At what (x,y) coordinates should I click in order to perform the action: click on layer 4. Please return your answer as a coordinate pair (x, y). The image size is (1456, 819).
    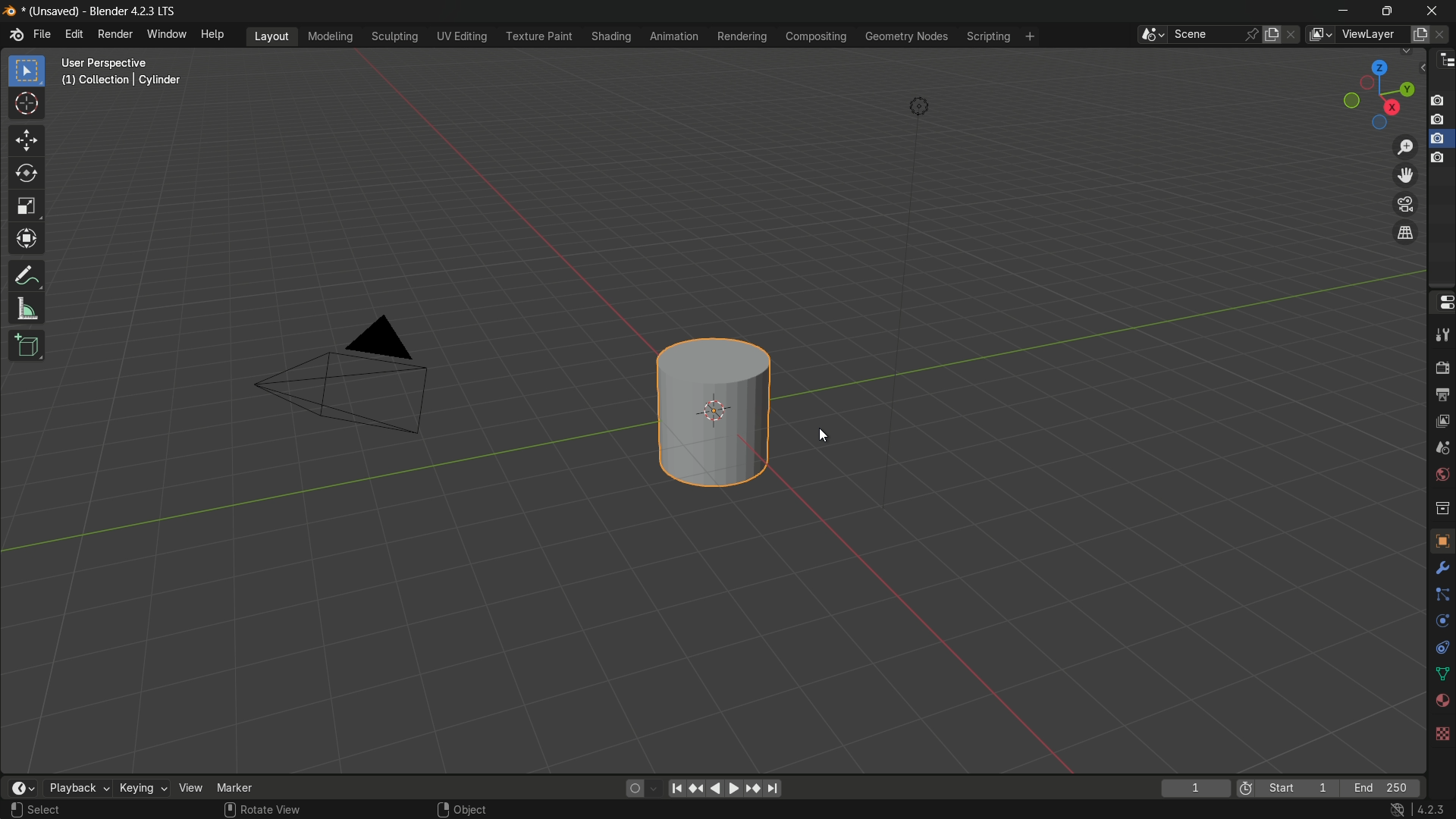
    Looking at the image, I should click on (1439, 157).